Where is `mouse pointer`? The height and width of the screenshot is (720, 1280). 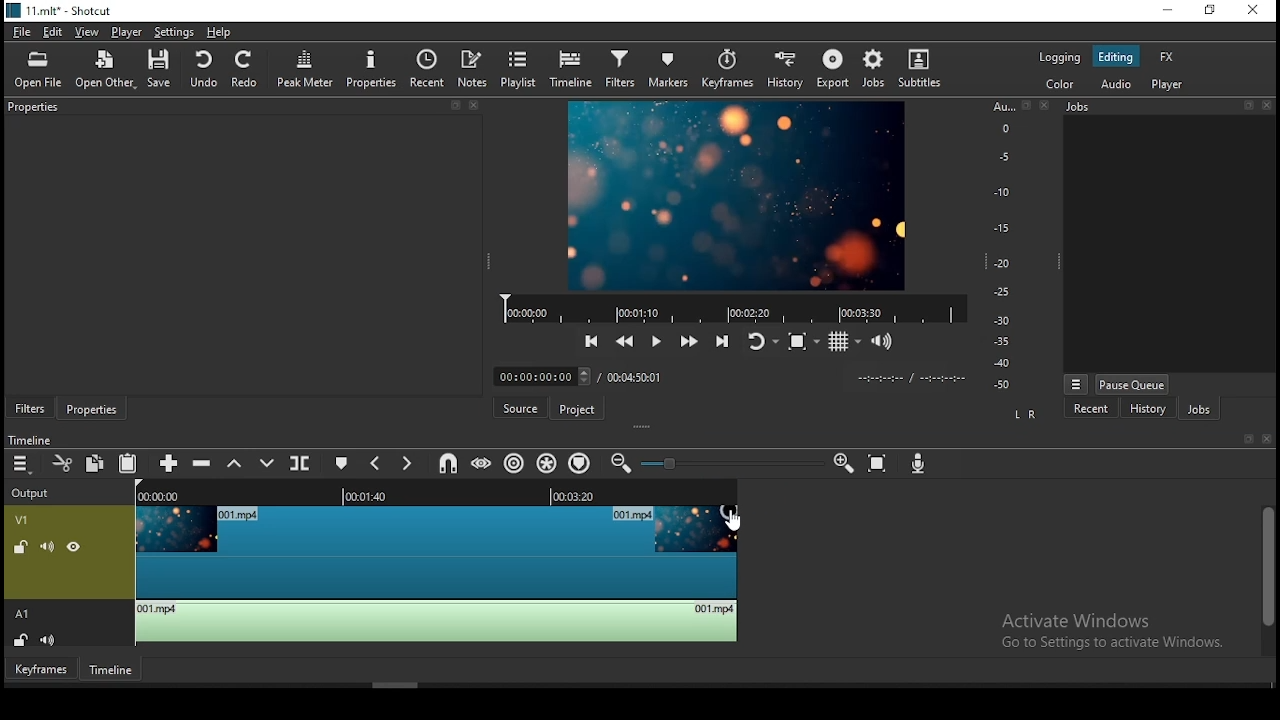
mouse pointer is located at coordinates (730, 517).